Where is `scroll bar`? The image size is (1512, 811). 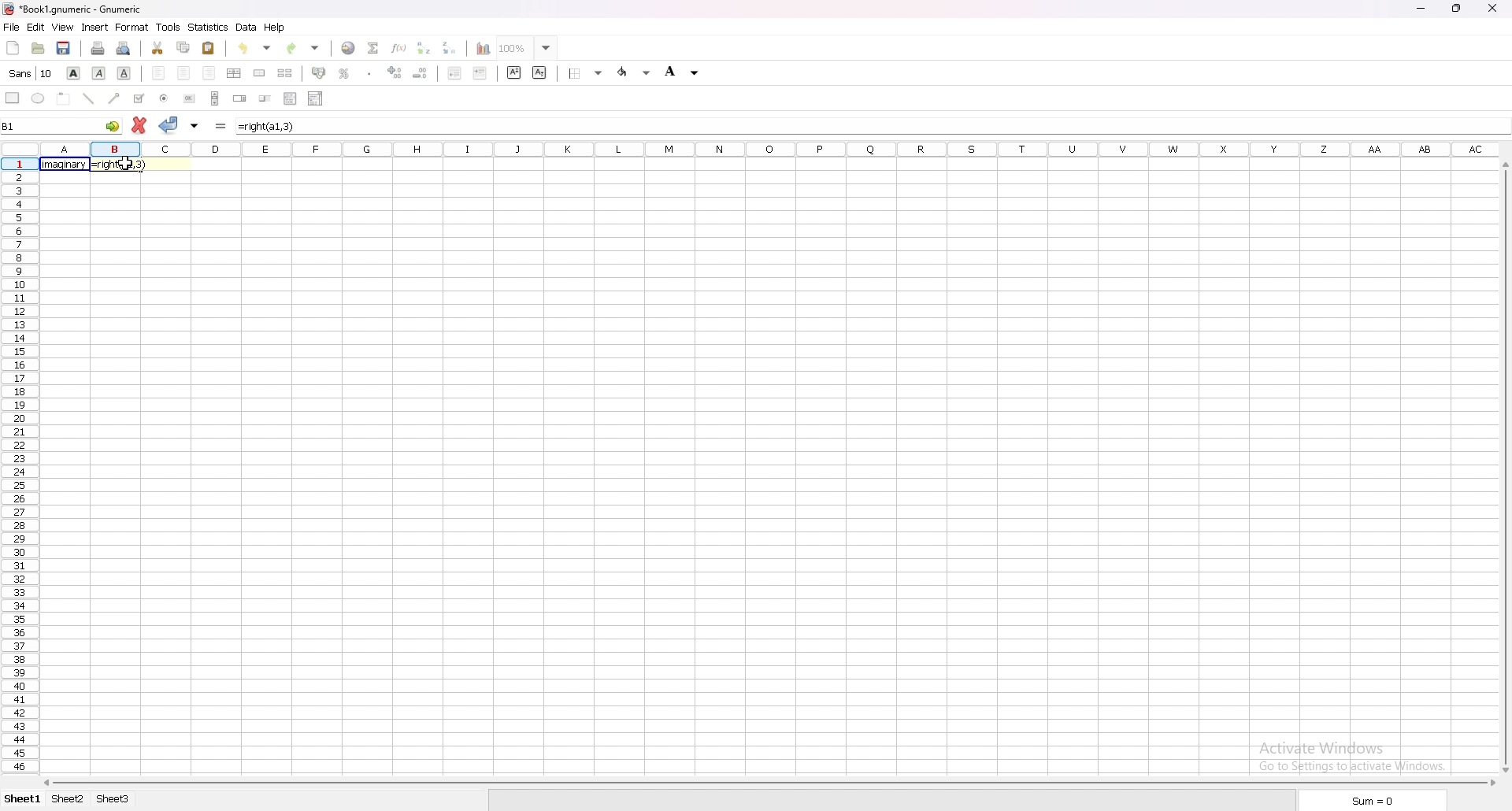 scroll bar is located at coordinates (769, 783).